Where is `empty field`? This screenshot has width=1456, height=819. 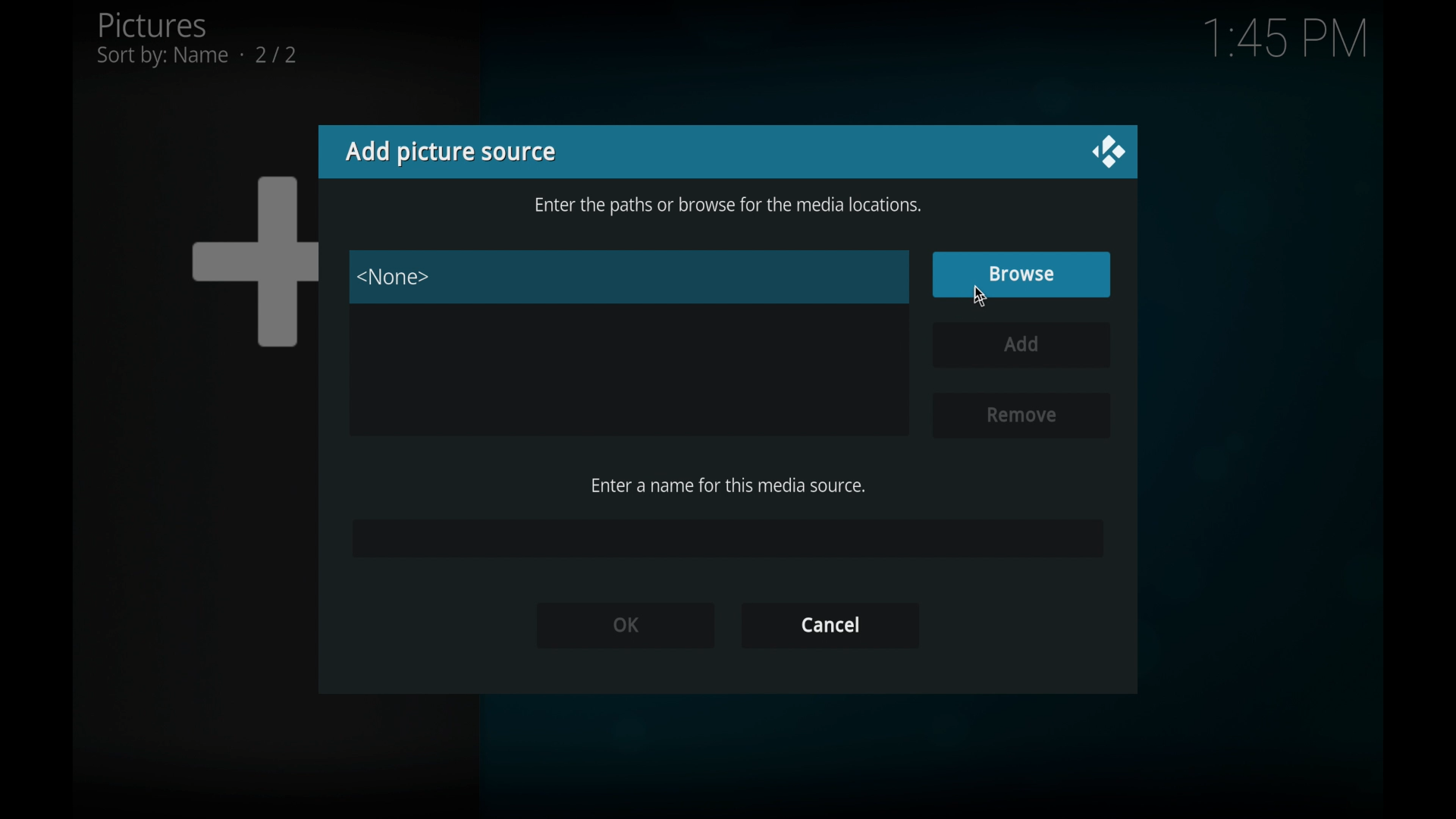 empty field is located at coordinates (726, 538).